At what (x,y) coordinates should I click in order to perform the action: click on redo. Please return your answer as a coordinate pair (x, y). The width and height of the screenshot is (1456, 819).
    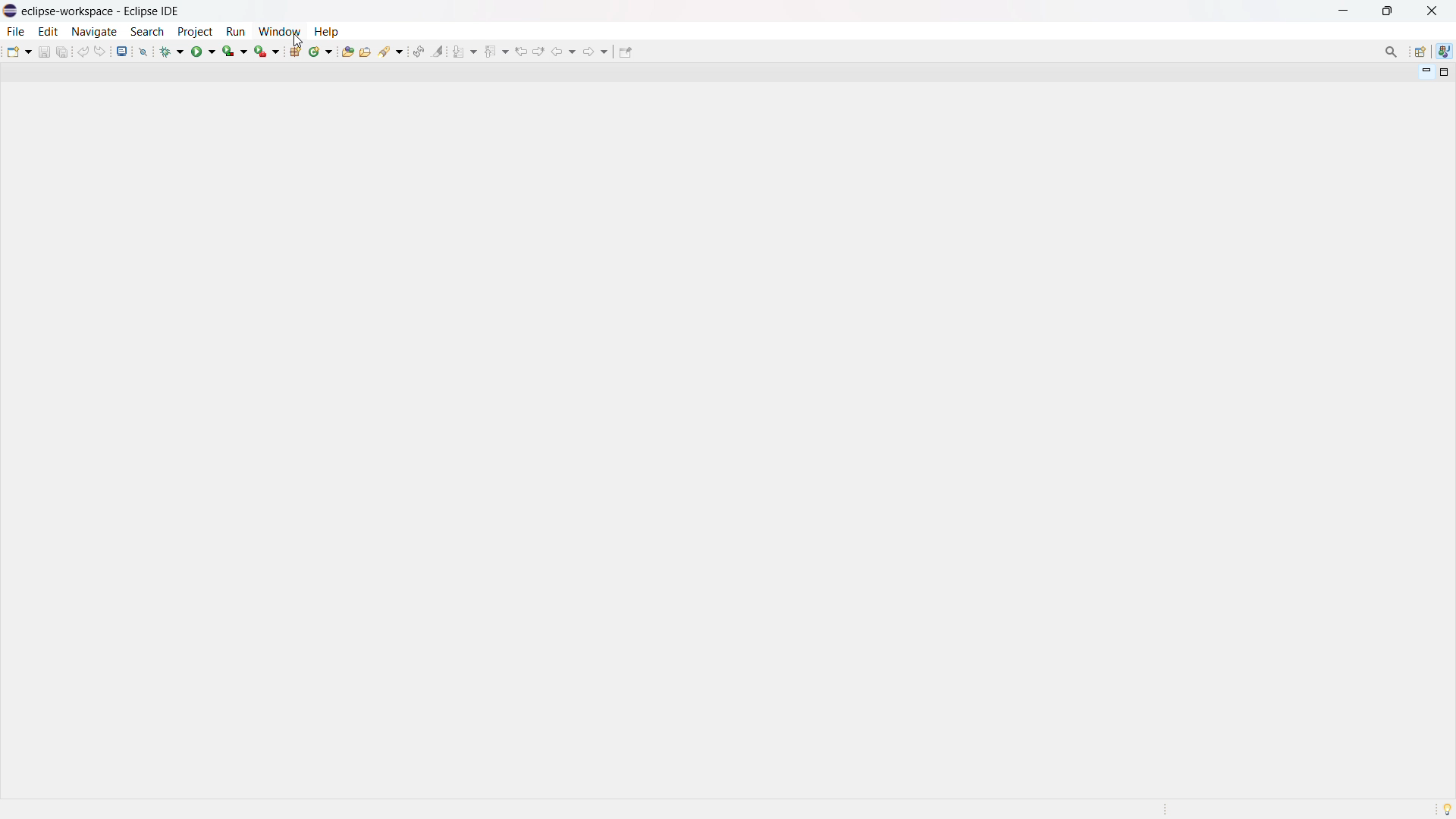
    Looking at the image, I should click on (100, 51).